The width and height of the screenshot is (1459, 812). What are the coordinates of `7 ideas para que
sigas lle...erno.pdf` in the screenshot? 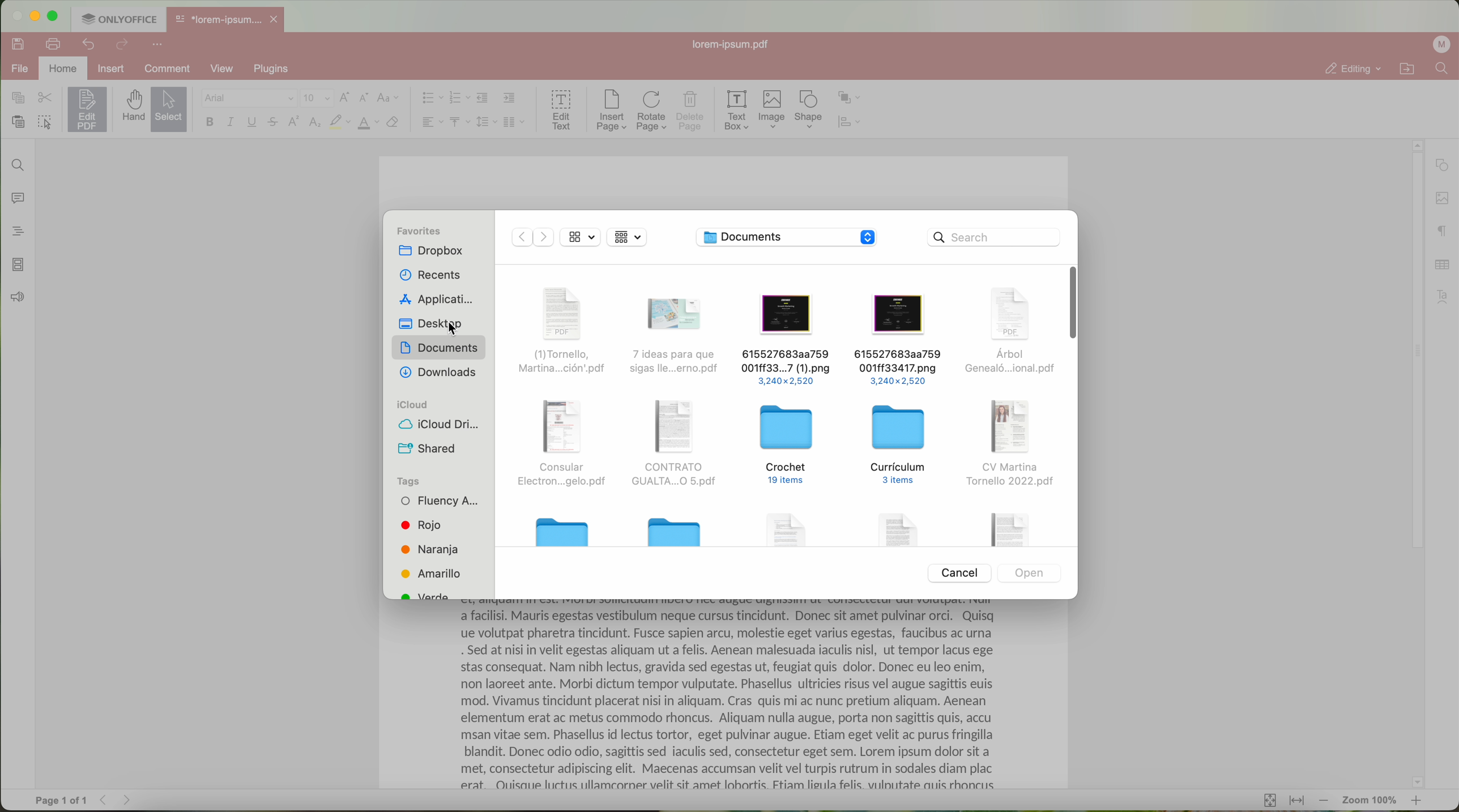 It's located at (677, 335).